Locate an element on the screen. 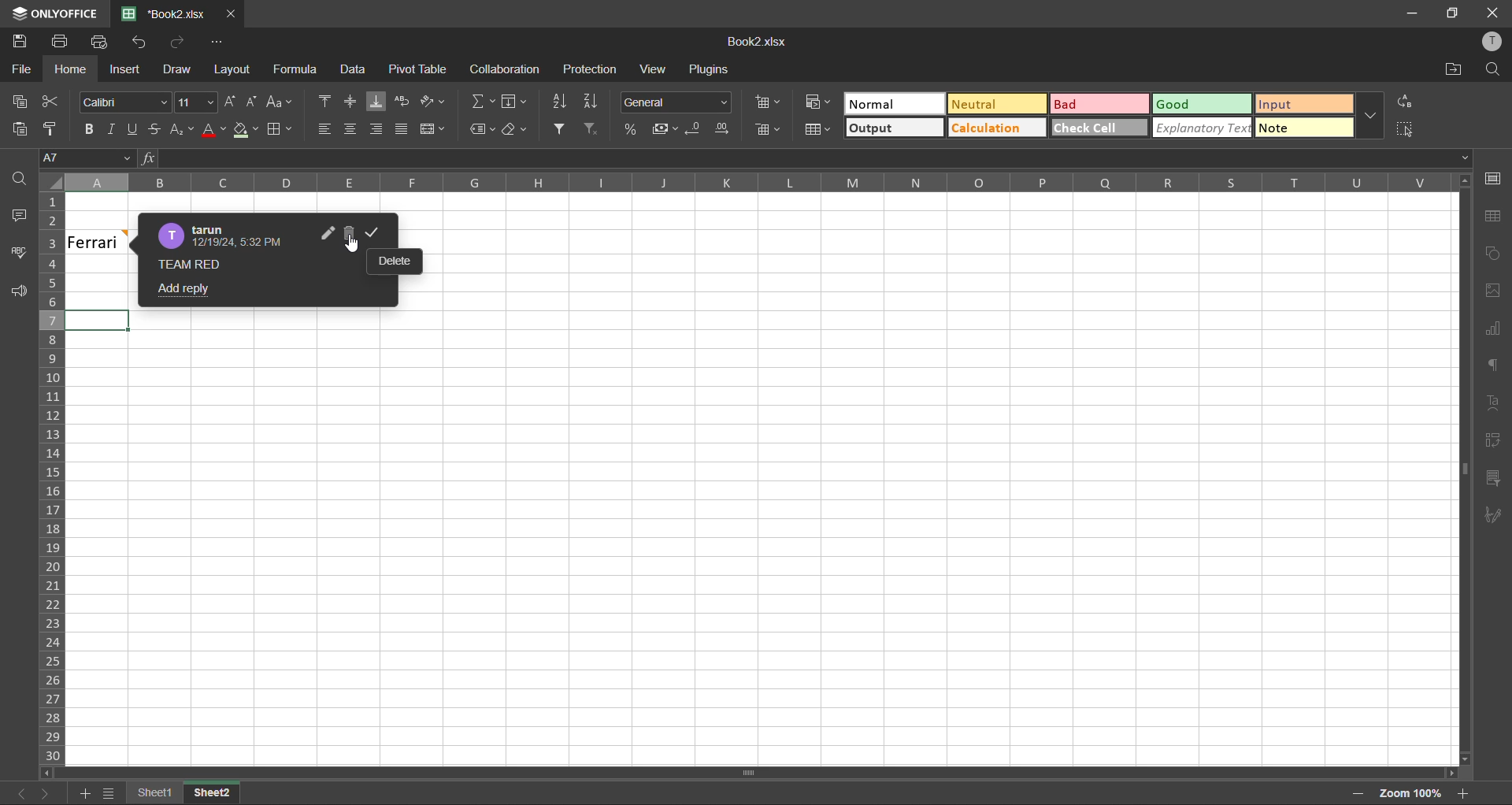 The image size is (1512, 805). percent is located at coordinates (631, 129).